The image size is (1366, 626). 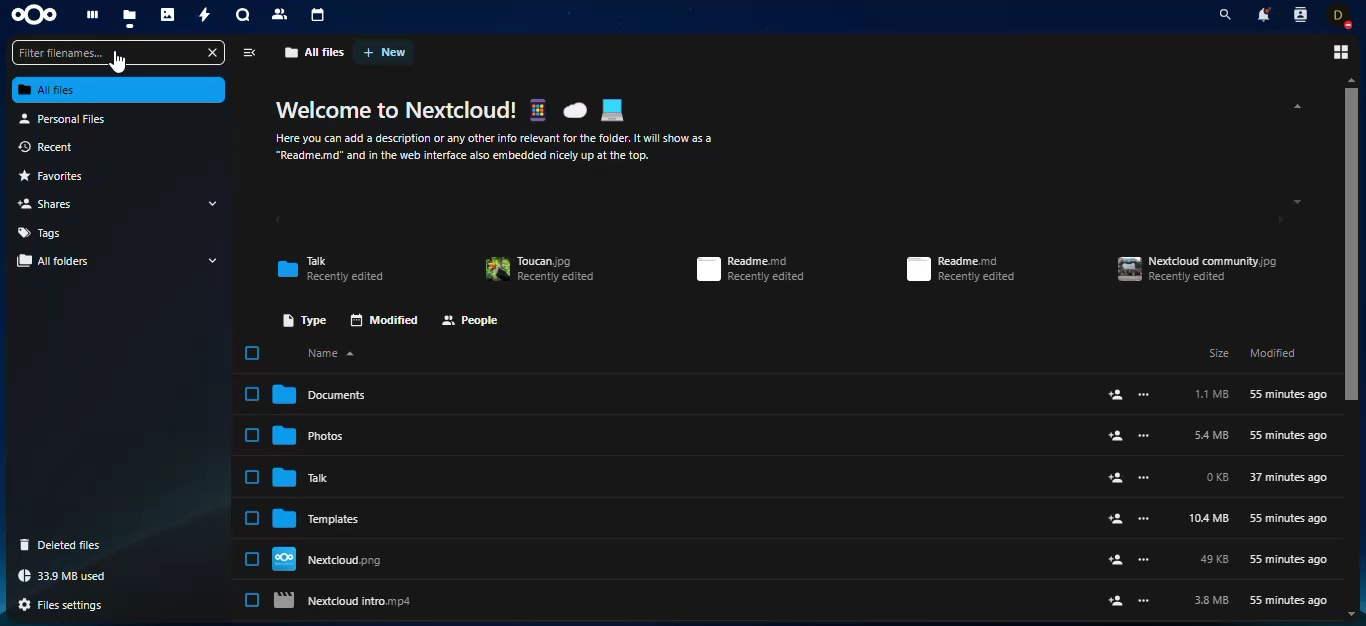 What do you see at coordinates (319, 15) in the screenshot?
I see `calendar` at bounding box center [319, 15].